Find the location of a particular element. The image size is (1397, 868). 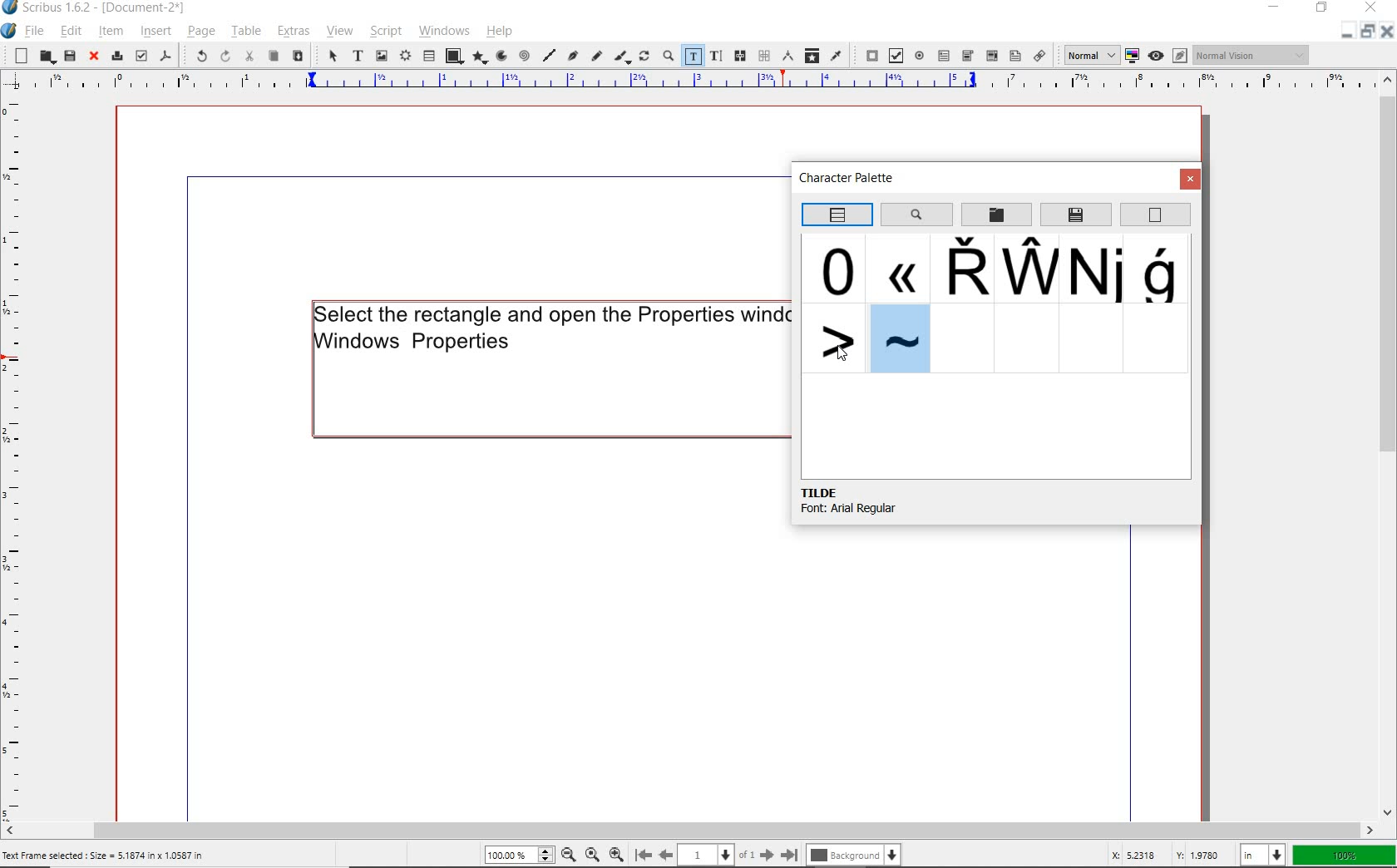

pdf list box is located at coordinates (992, 57).